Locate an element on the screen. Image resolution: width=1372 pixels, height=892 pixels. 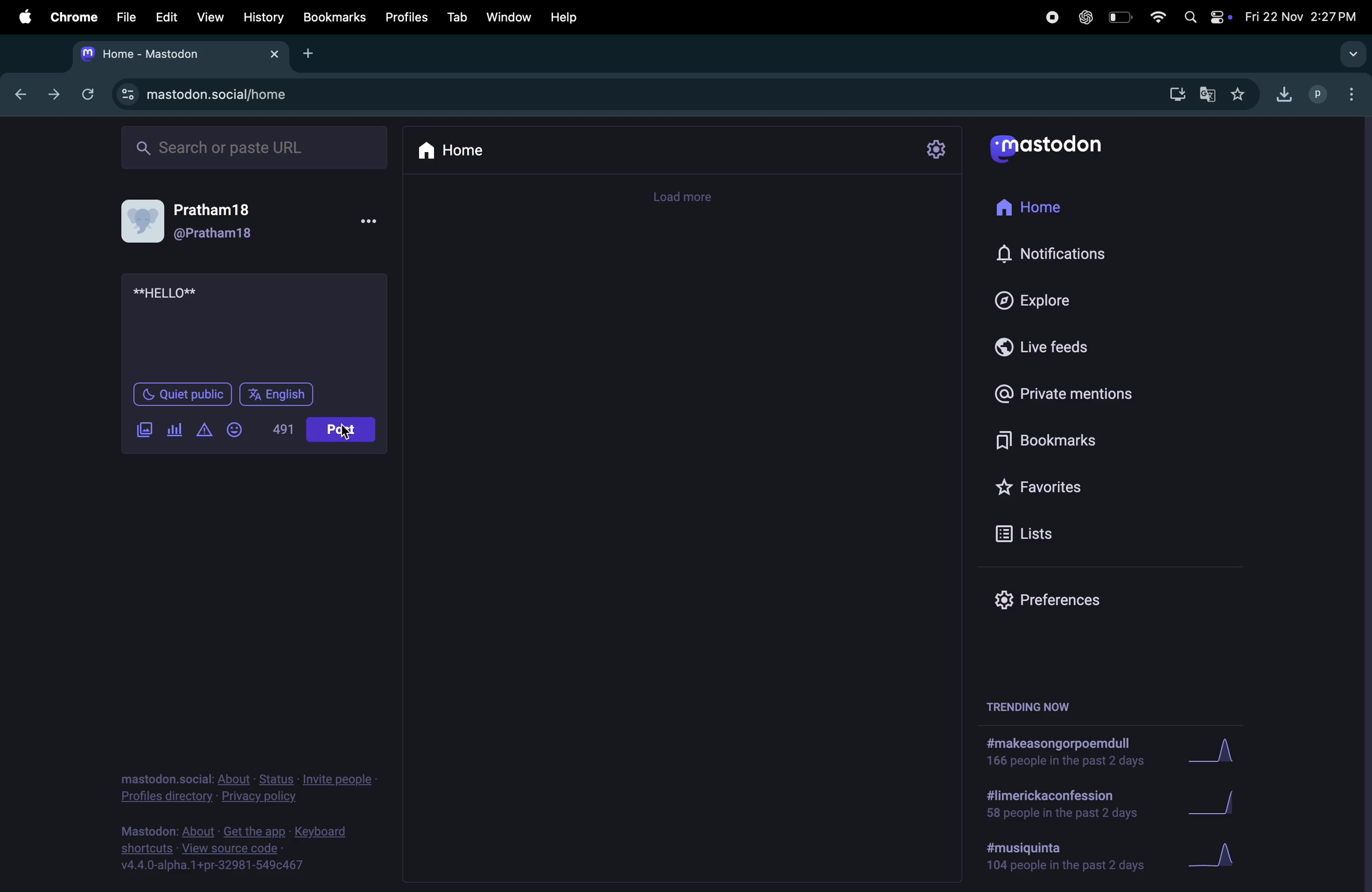
tab is located at coordinates (457, 16).